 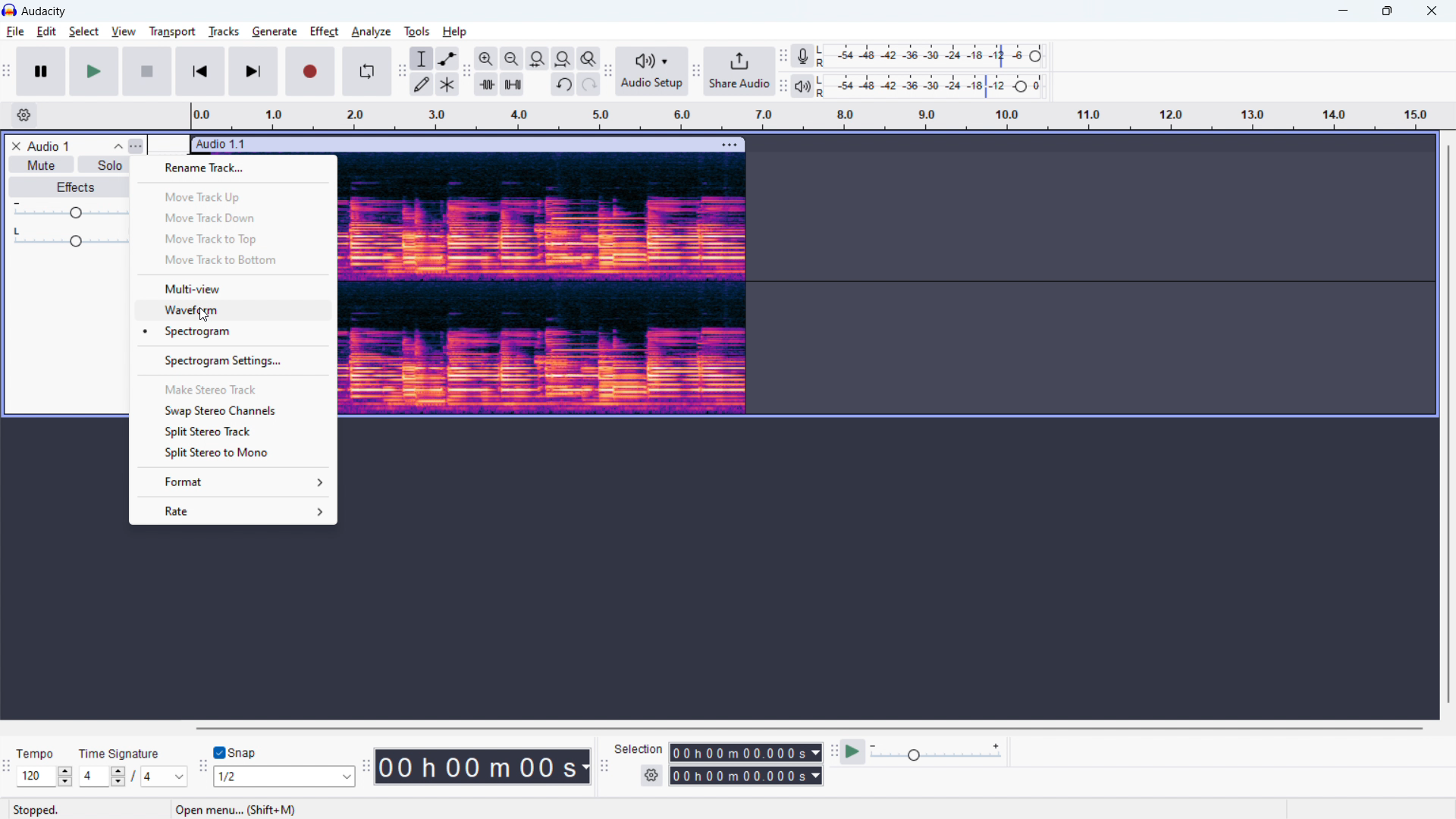 What do you see at coordinates (450, 145) in the screenshot?
I see `click to move` at bounding box center [450, 145].